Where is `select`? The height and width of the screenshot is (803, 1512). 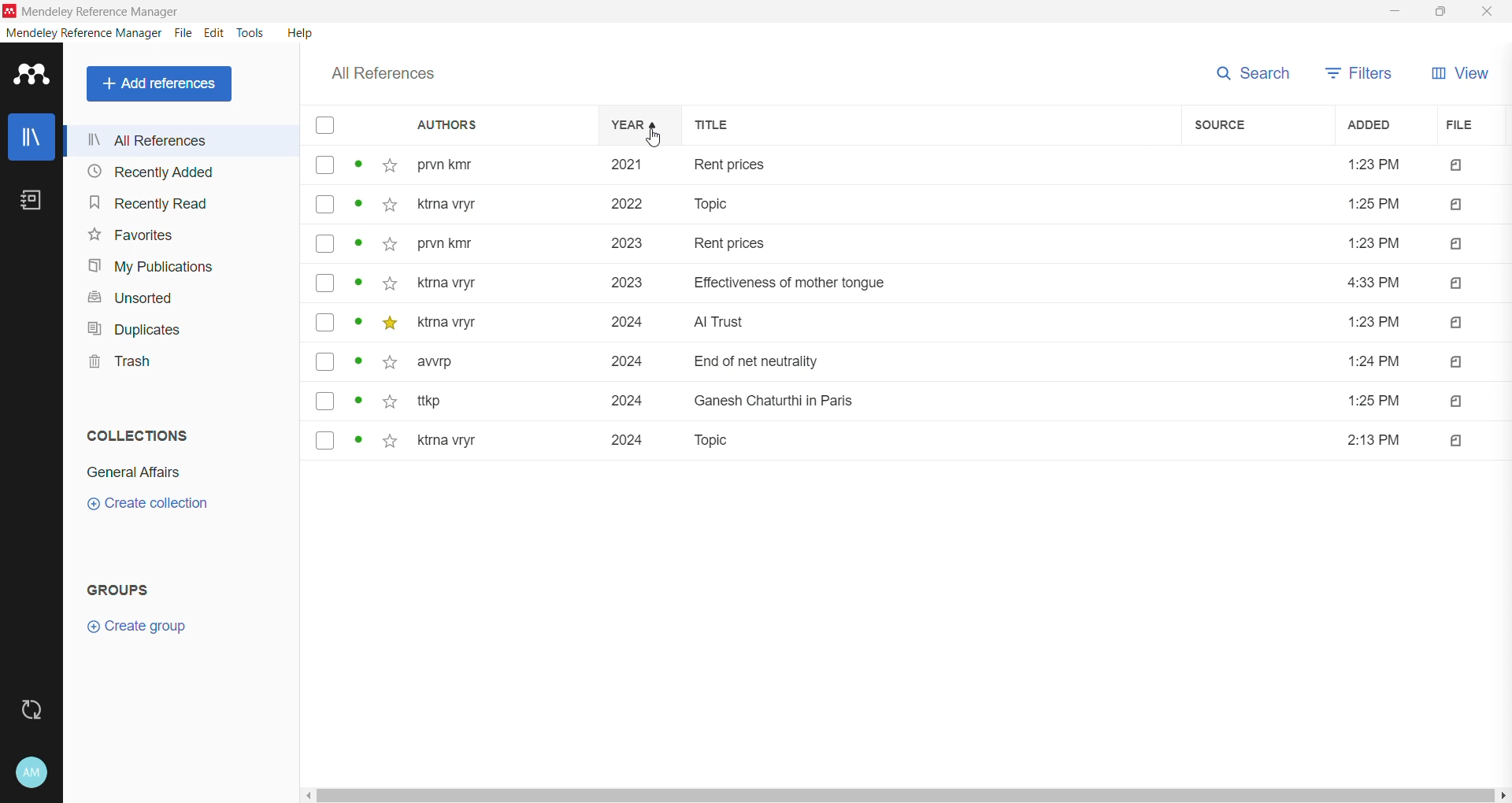
select is located at coordinates (325, 125).